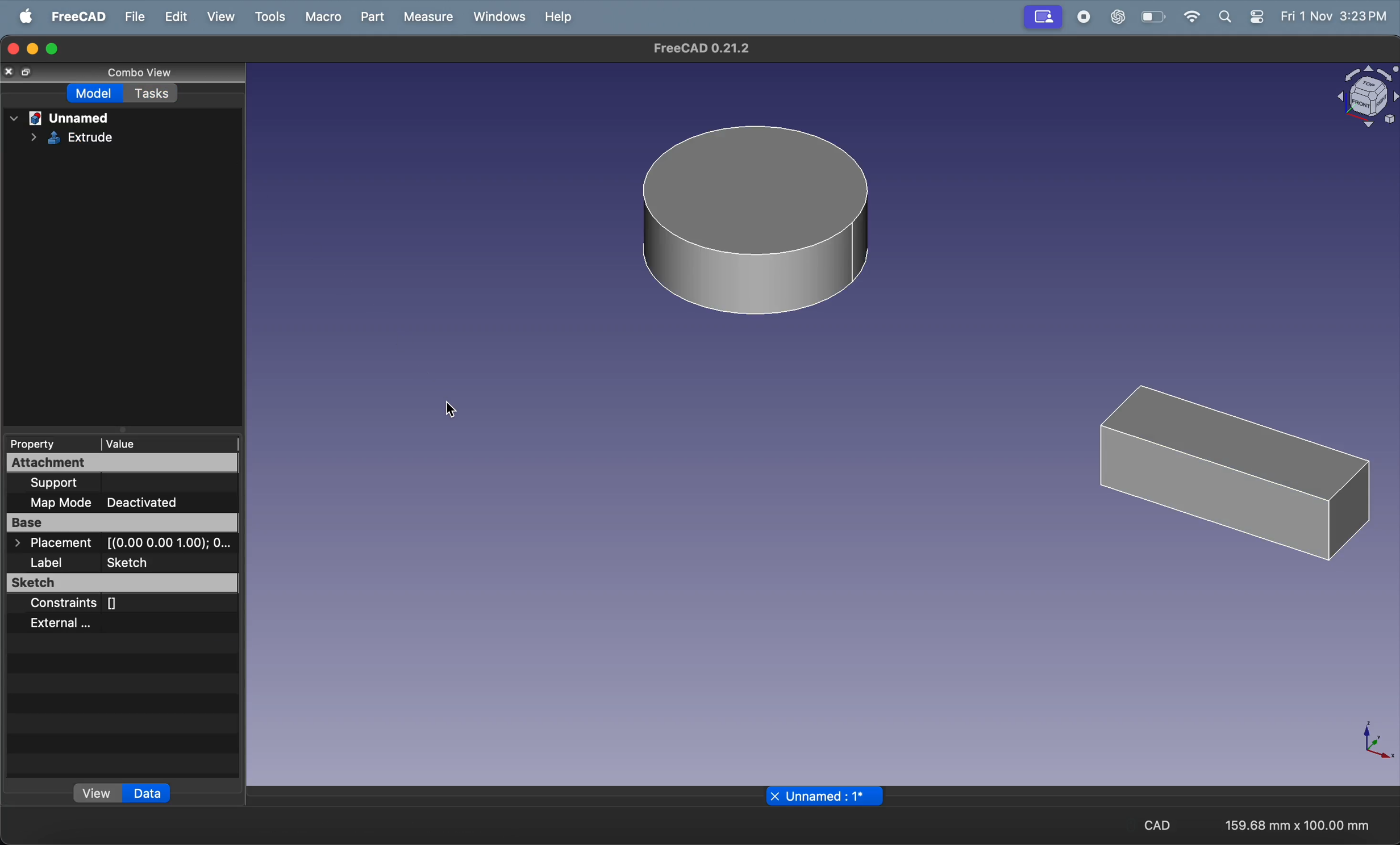  I want to click on maximize, so click(51, 49).